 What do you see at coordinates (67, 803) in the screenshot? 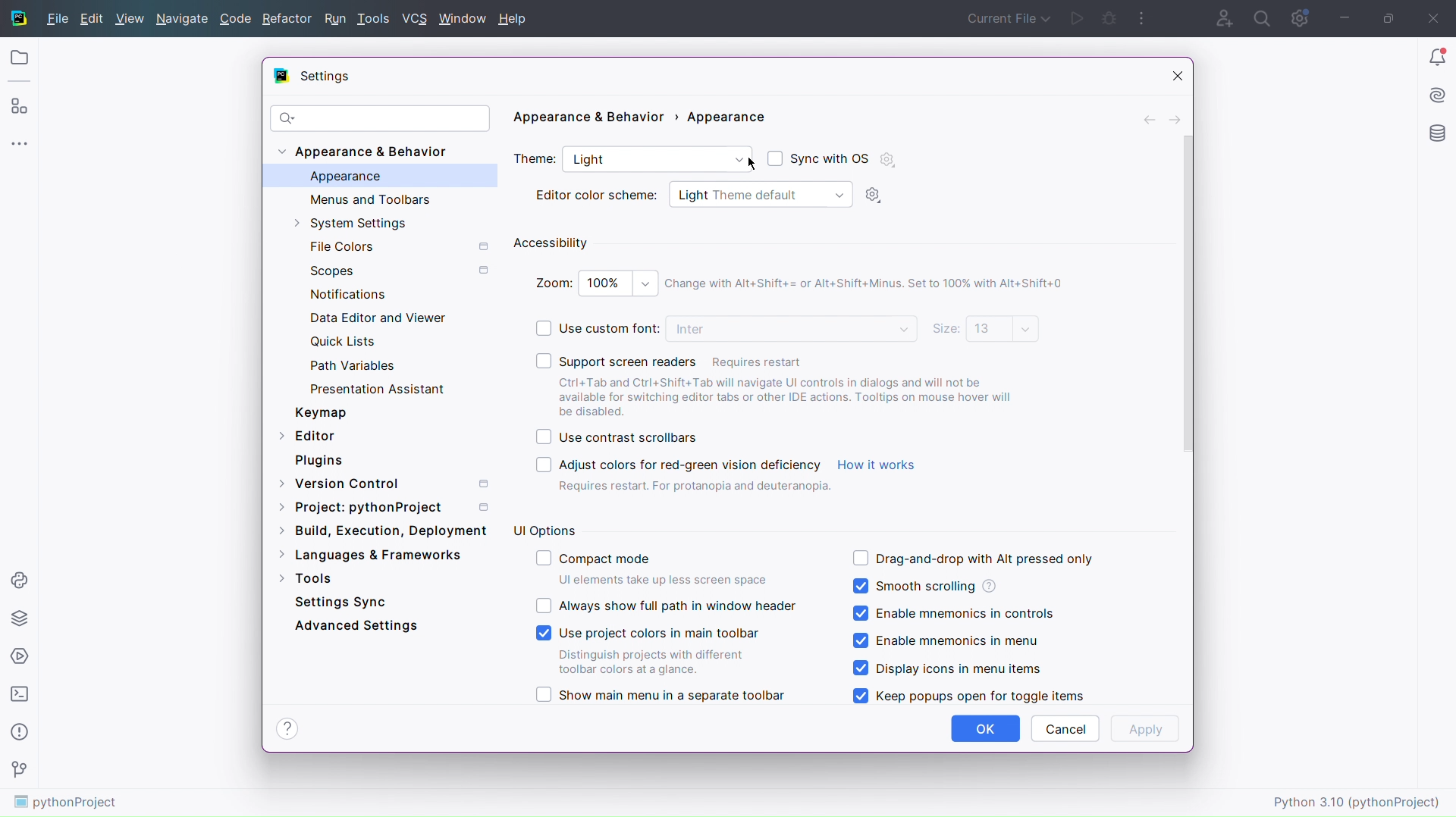
I see `pythonProject` at bounding box center [67, 803].